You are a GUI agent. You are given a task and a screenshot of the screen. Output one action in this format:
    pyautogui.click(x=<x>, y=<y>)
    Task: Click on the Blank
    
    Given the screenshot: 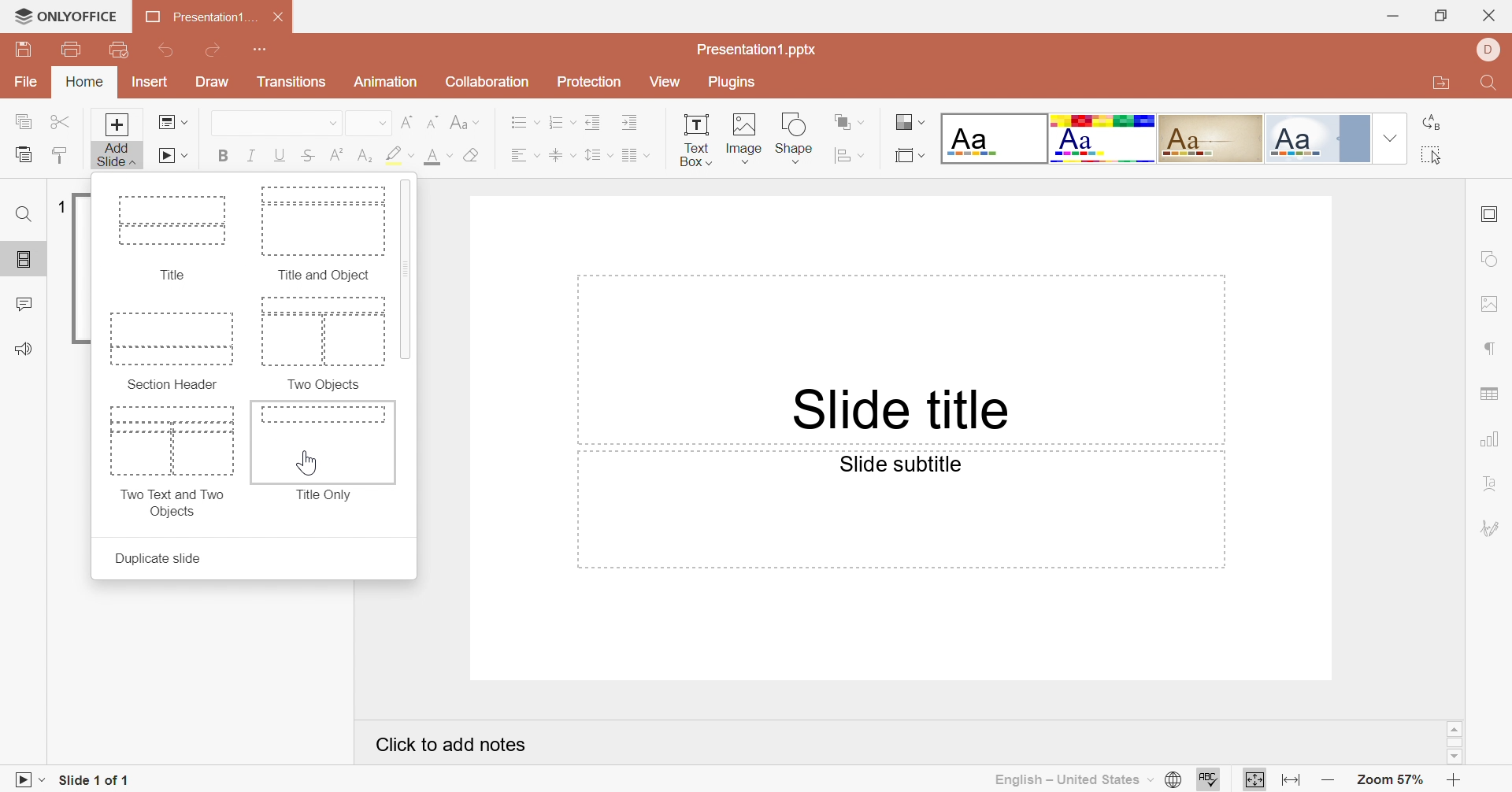 What is the action you would take?
    pyautogui.click(x=995, y=139)
    